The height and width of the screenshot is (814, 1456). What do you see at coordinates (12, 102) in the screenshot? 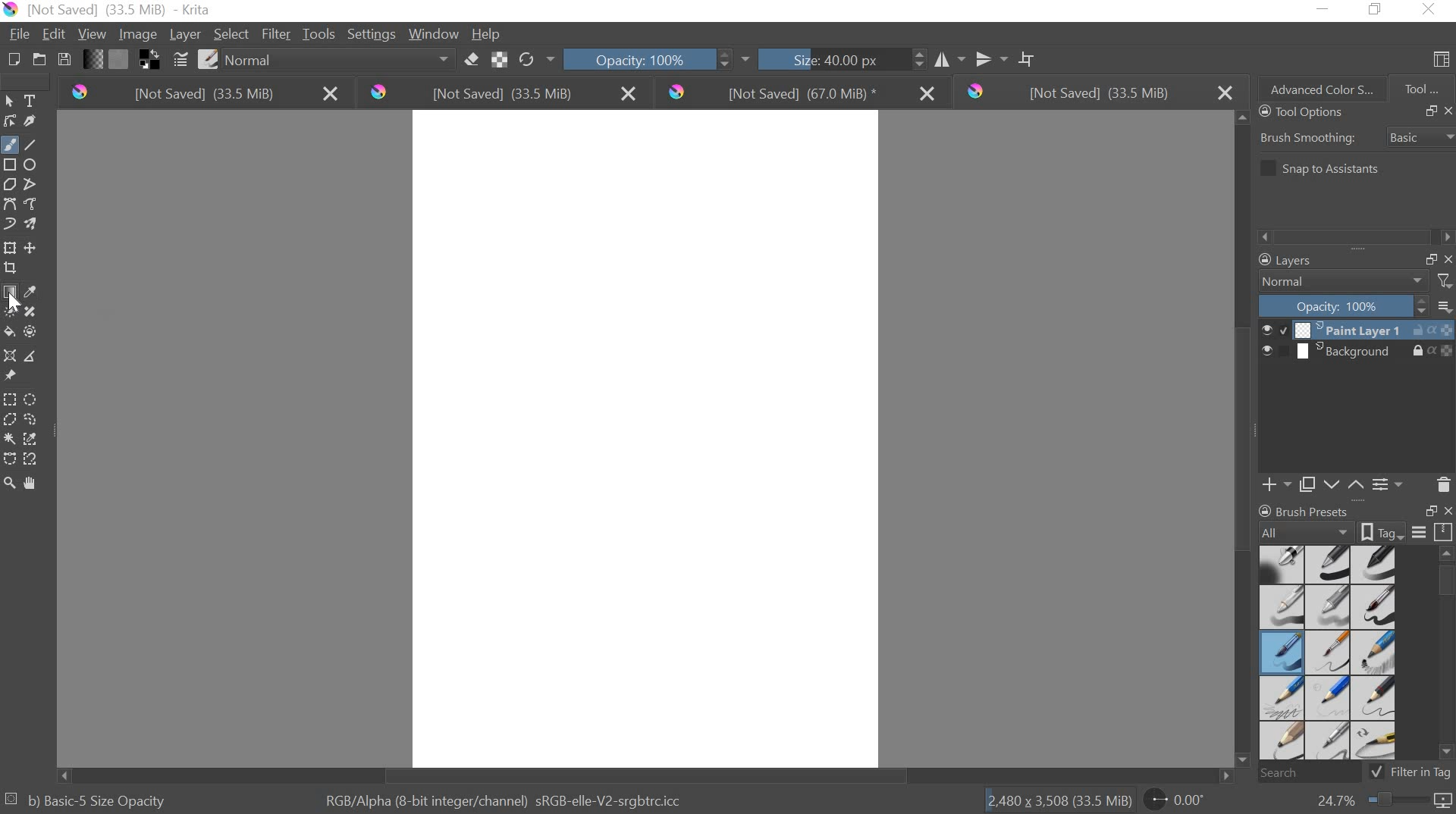
I see `select` at bounding box center [12, 102].